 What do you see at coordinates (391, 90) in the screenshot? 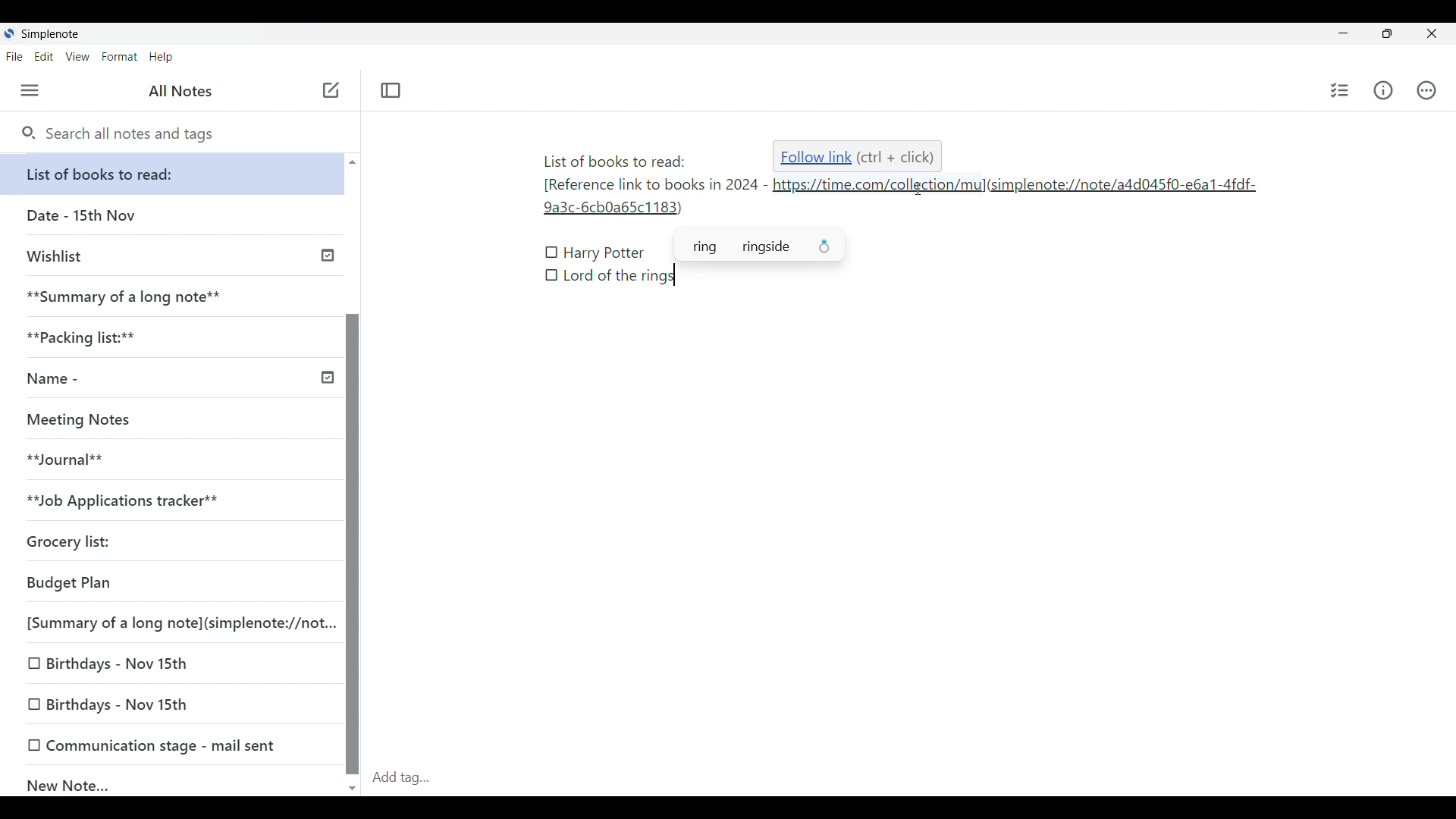
I see `Toggle focus mode` at bounding box center [391, 90].